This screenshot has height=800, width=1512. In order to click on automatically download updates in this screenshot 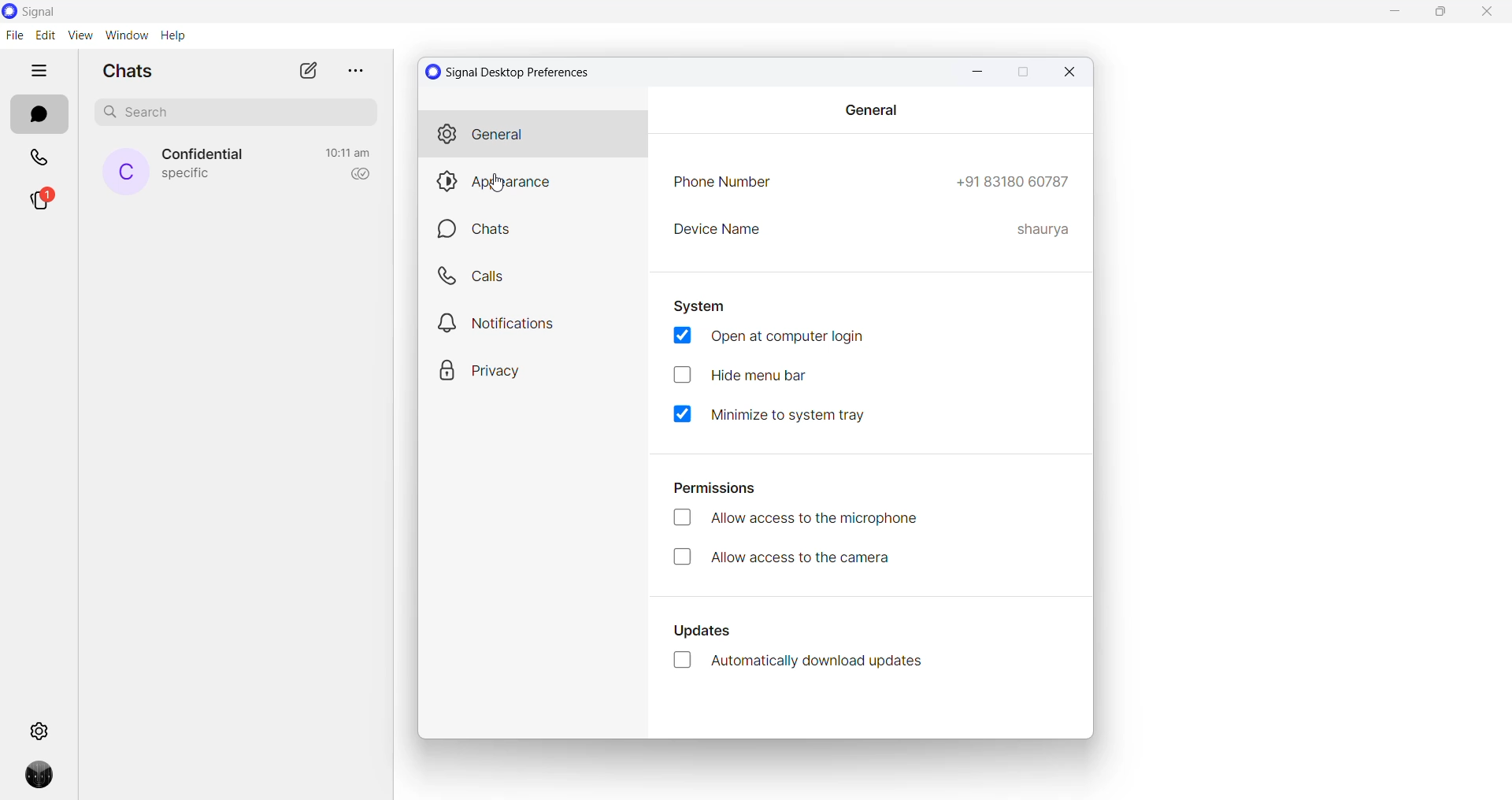, I will do `click(806, 662)`.